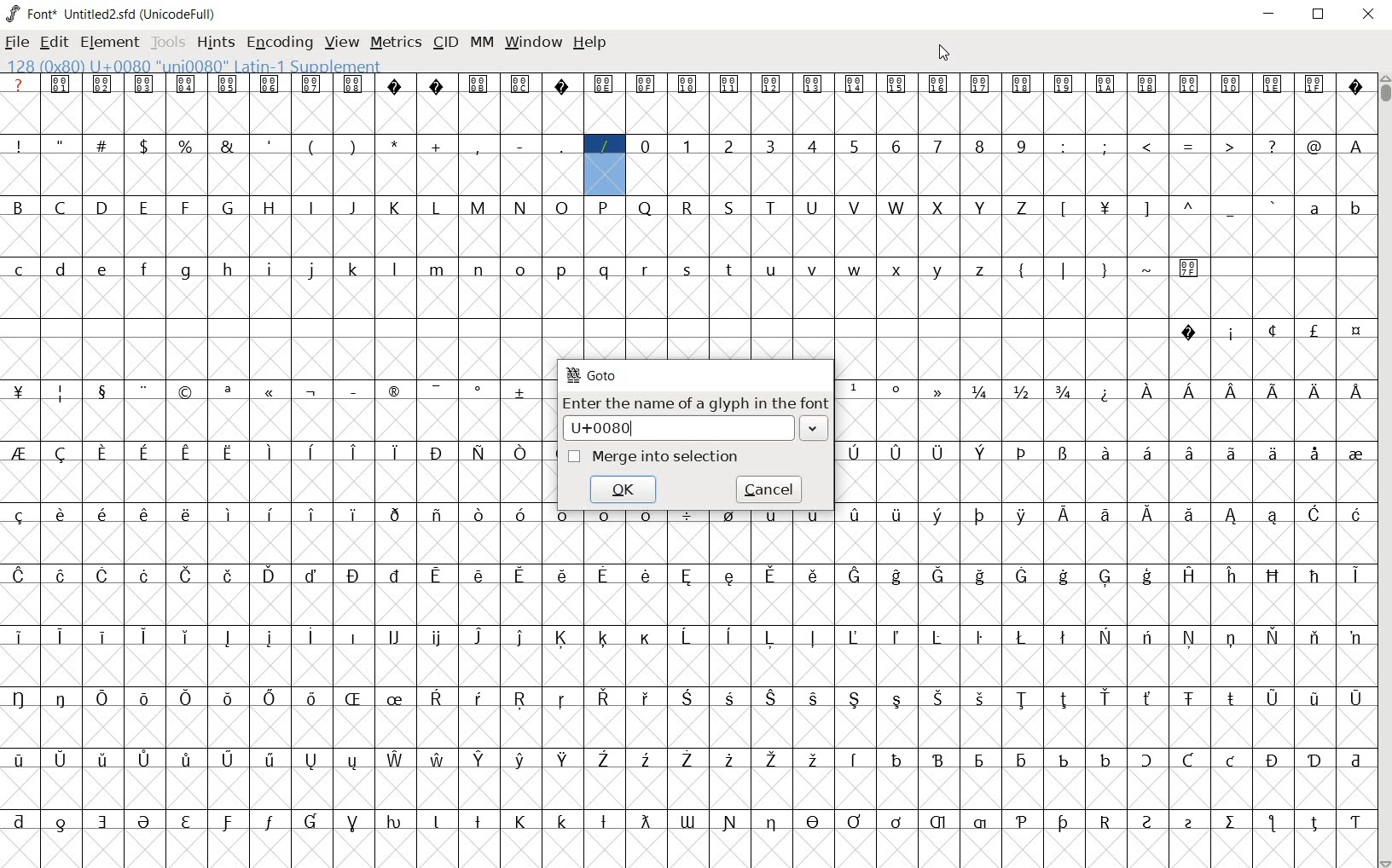 The height and width of the screenshot is (868, 1392). Describe the element at coordinates (396, 699) in the screenshot. I see `glyph` at that location.